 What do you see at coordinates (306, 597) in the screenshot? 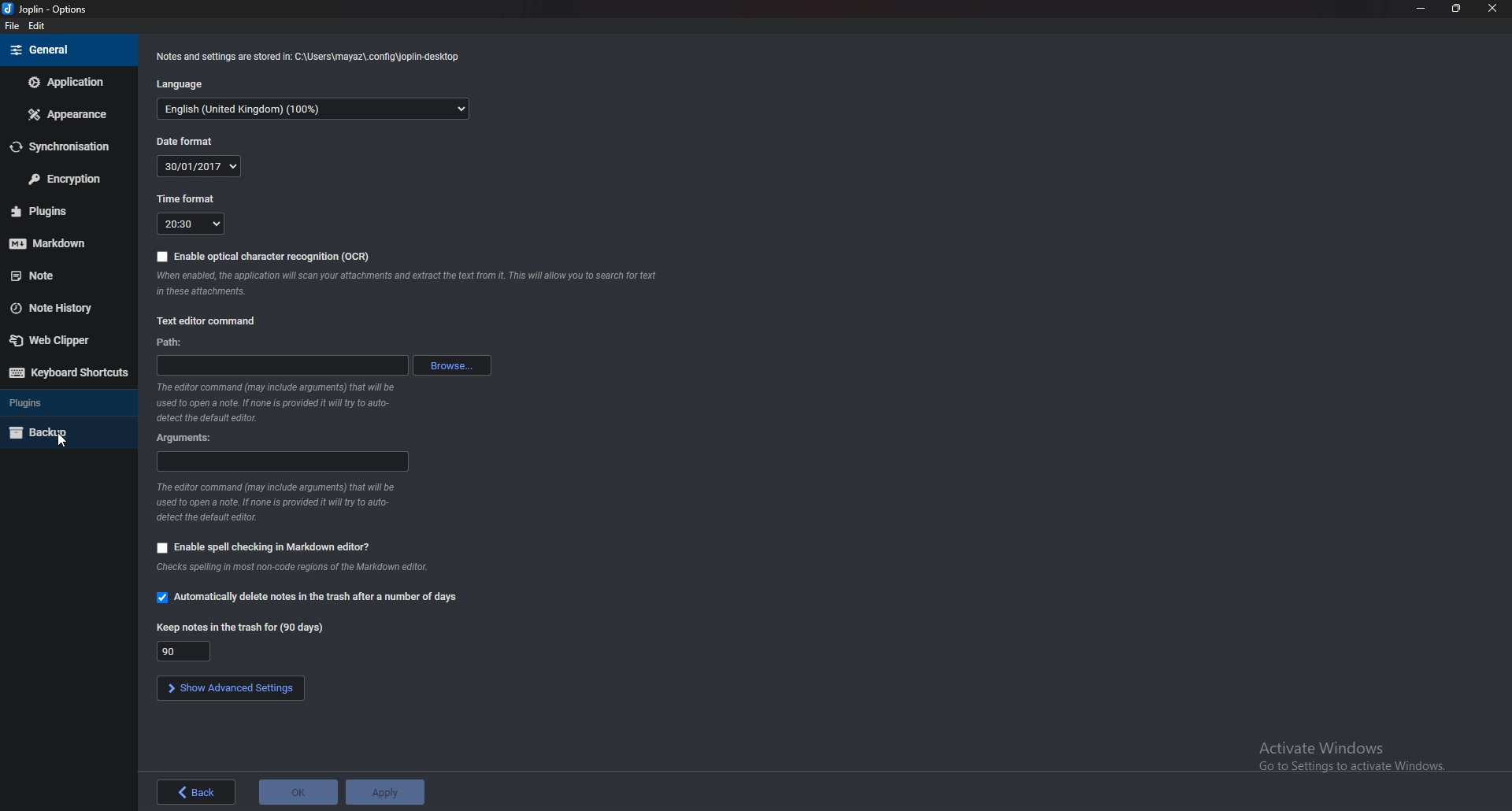
I see `Automatically delete notes` at bounding box center [306, 597].